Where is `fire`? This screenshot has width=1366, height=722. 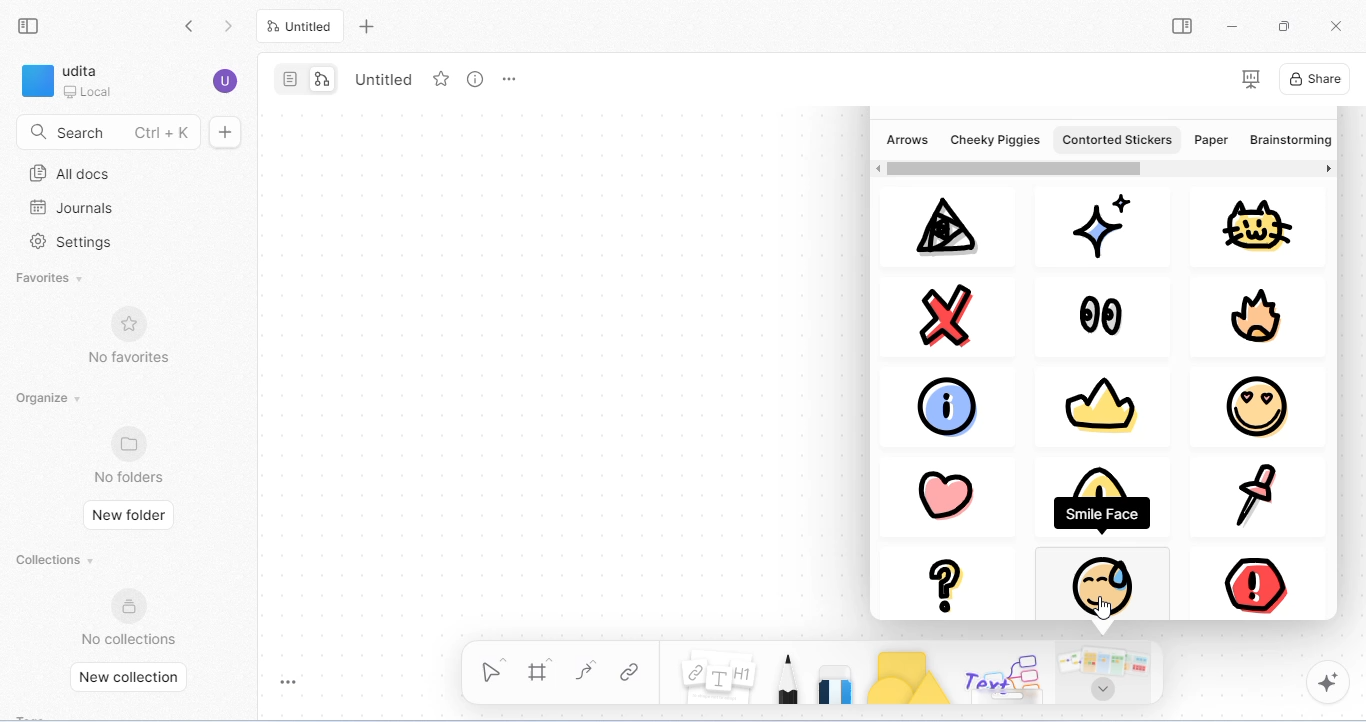
fire is located at coordinates (1261, 318).